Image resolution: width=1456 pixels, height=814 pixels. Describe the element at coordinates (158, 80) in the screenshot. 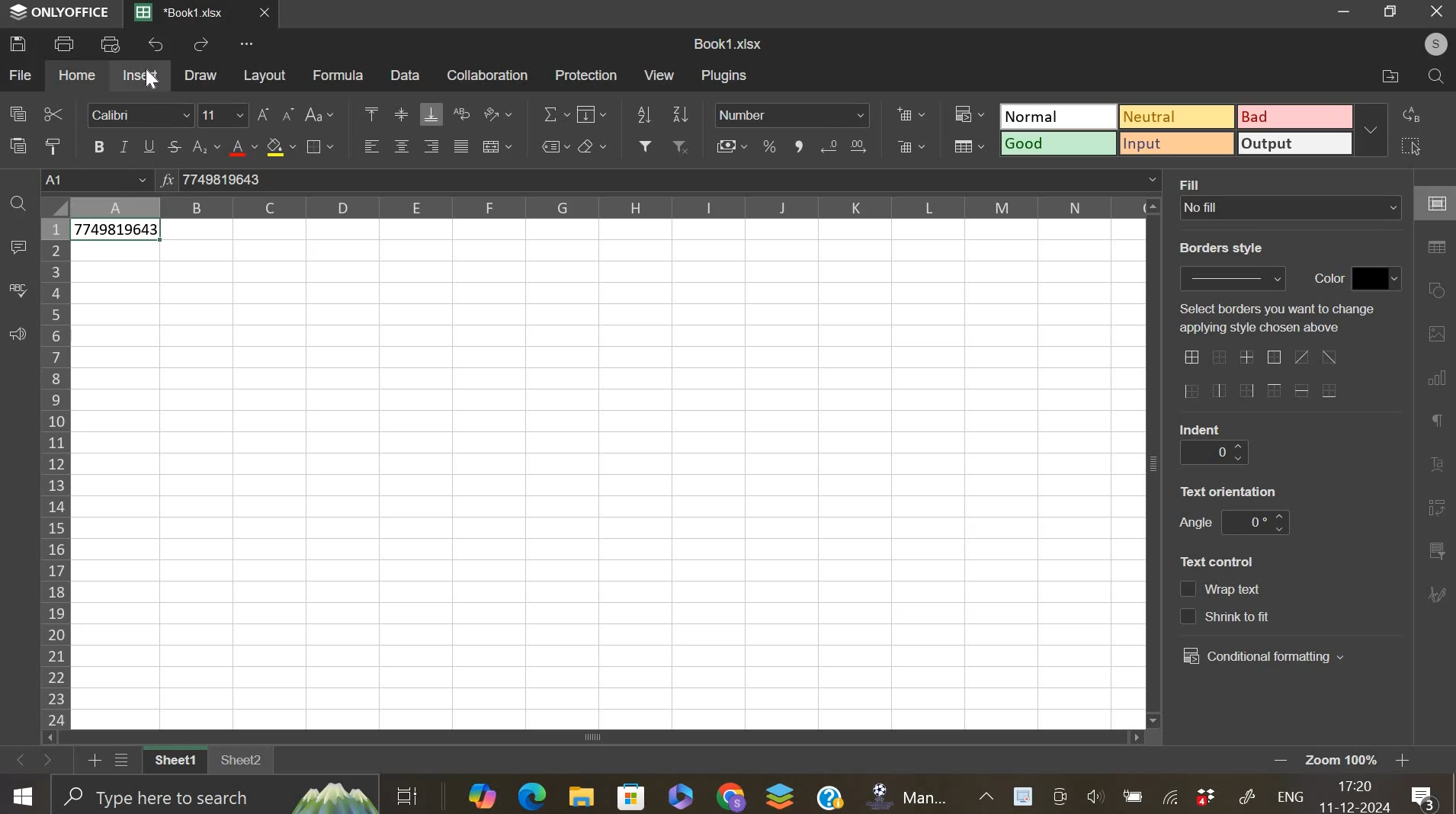

I see `cursor` at that location.